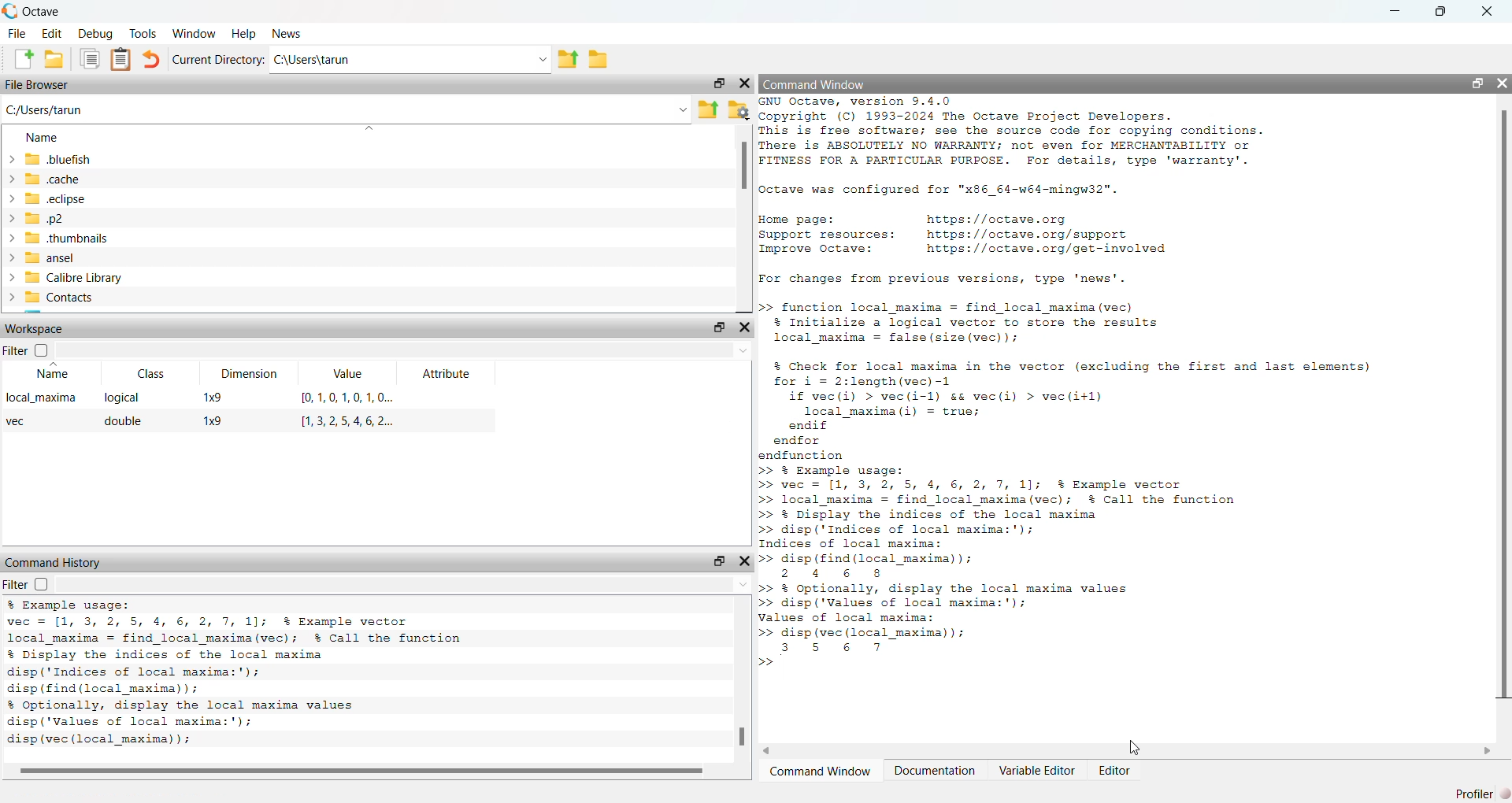  I want to click on Hide Widget, so click(745, 561).